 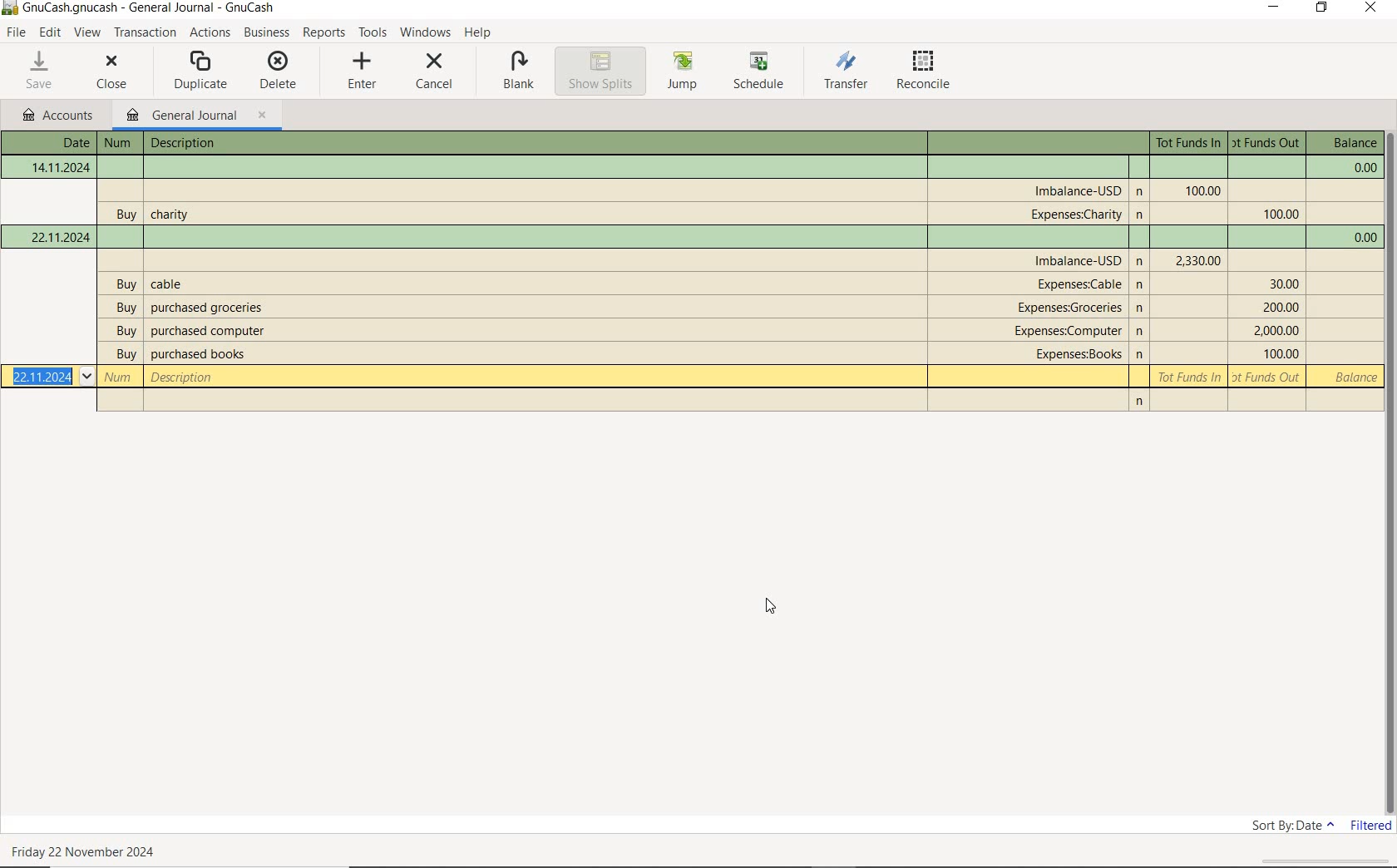 I want to click on description, so click(x=172, y=212).